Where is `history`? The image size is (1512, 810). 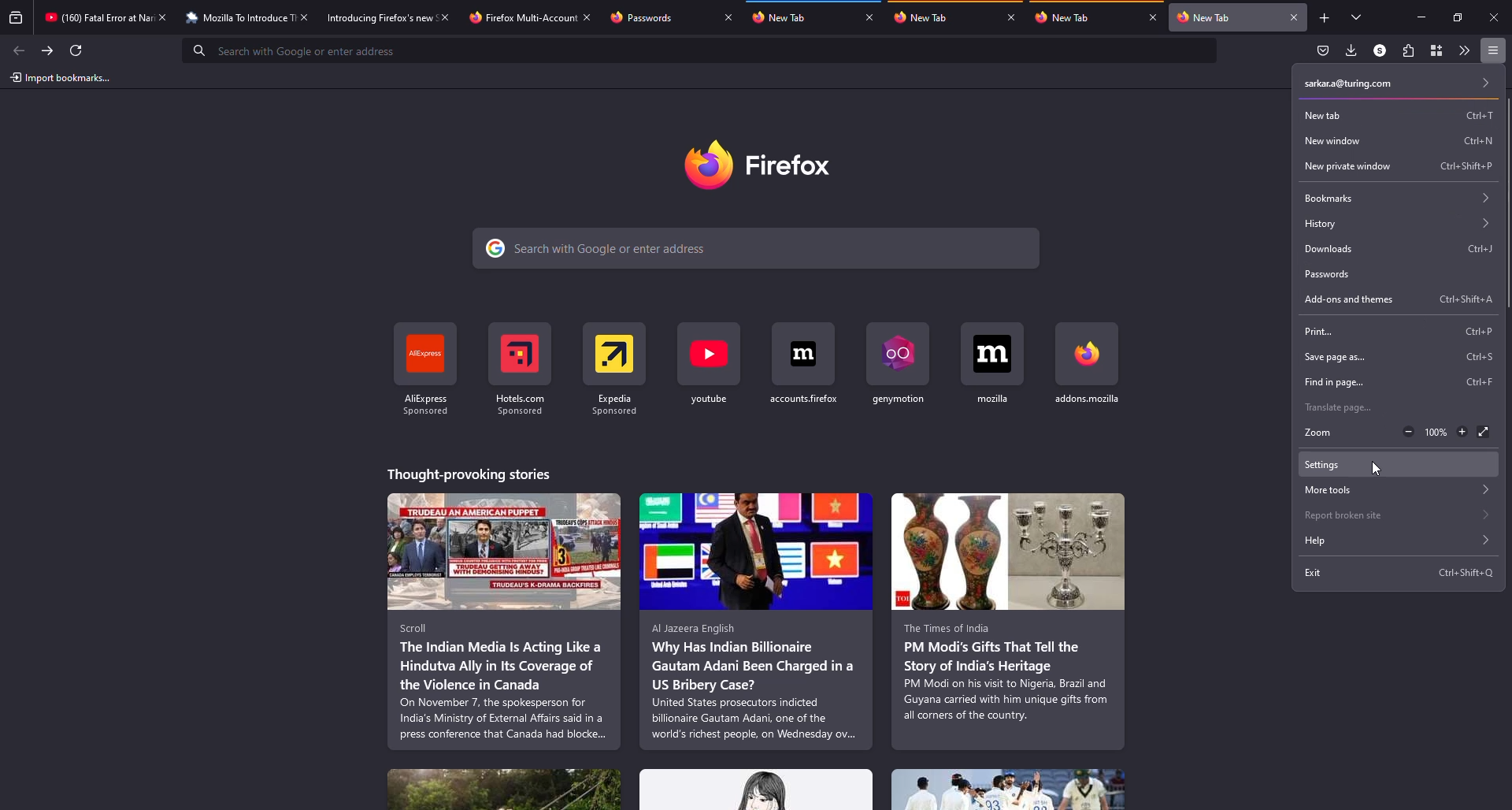 history is located at coordinates (1396, 221).